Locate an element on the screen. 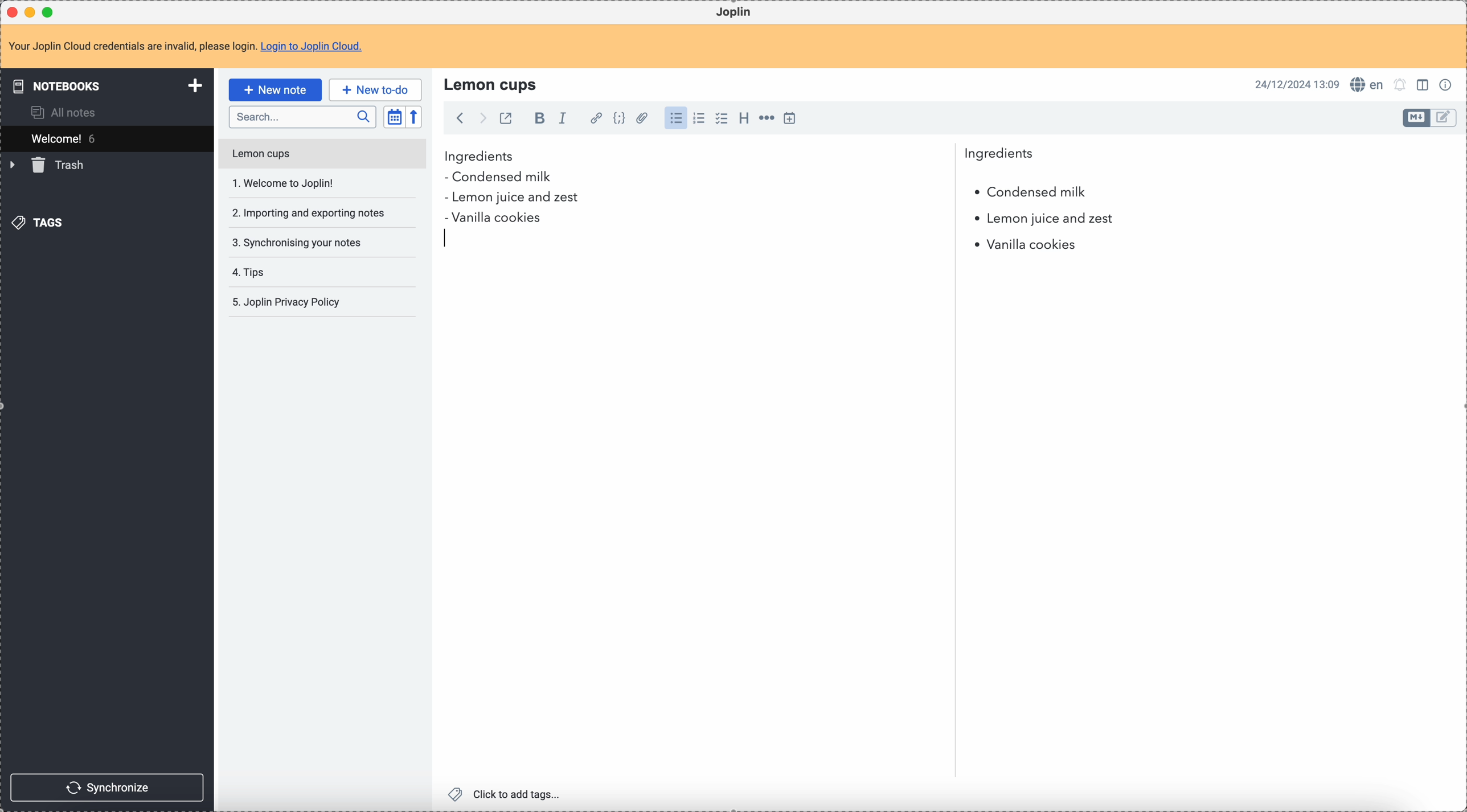 This screenshot has width=1467, height=812. synchronize is located at coordinates (108, 788).